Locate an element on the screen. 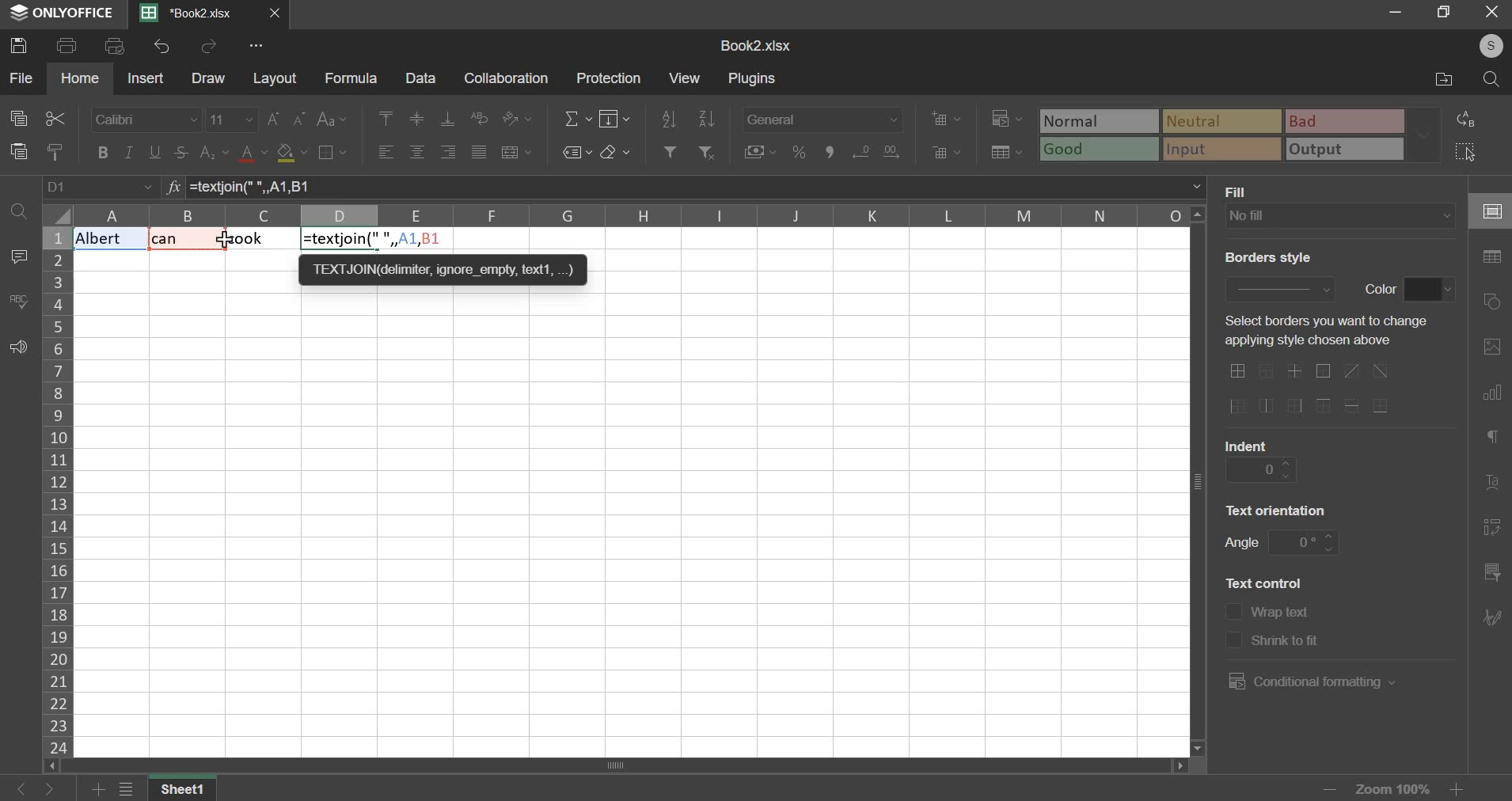 This screenshot has height=801, width=1512. underline is located at coordinates (156, 152).